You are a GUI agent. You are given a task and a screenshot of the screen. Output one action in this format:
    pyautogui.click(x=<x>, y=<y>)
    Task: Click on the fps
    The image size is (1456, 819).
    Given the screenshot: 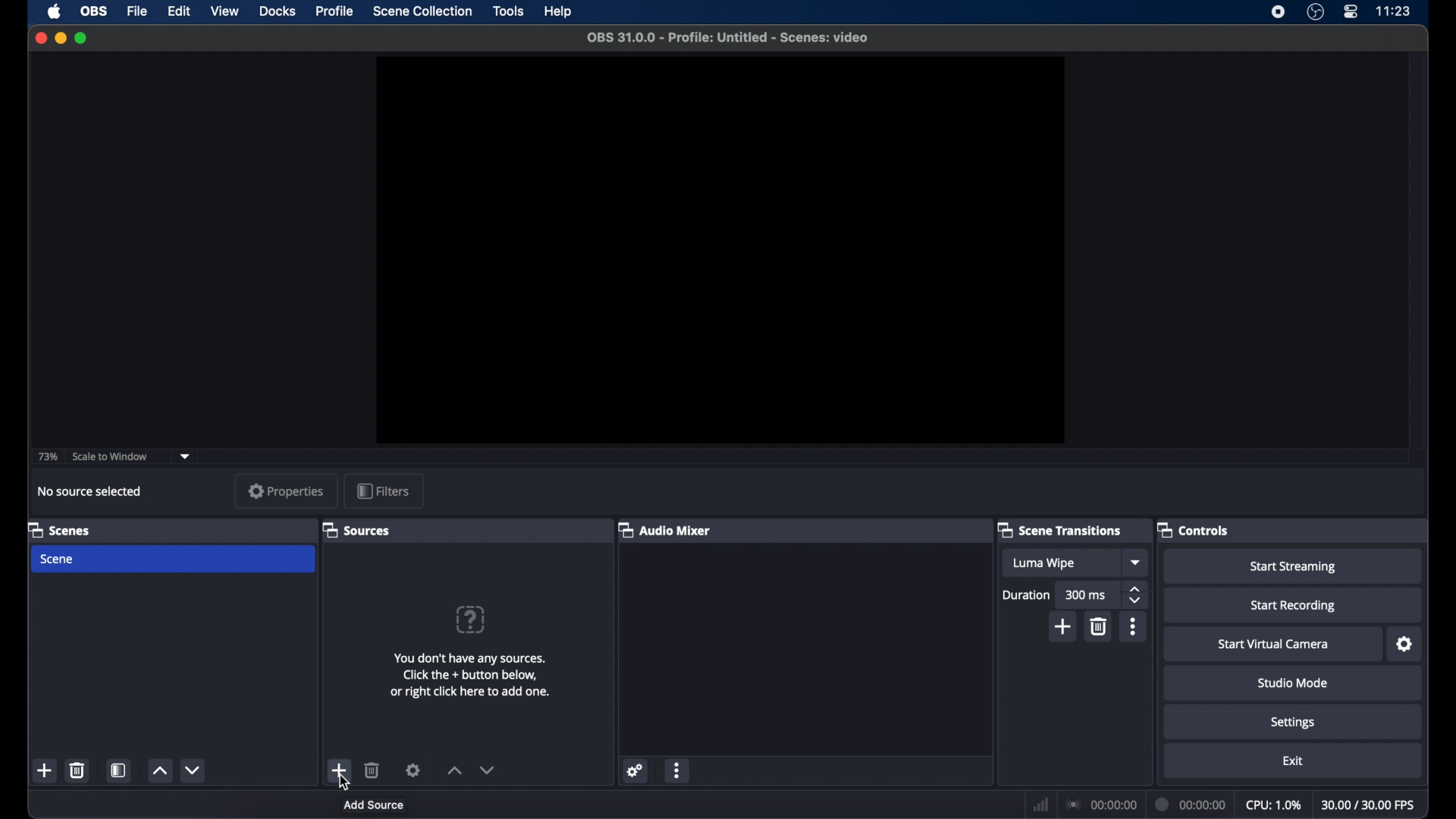 What is the action you would take?
    pyautogui.click(x=1370, y=805)
    